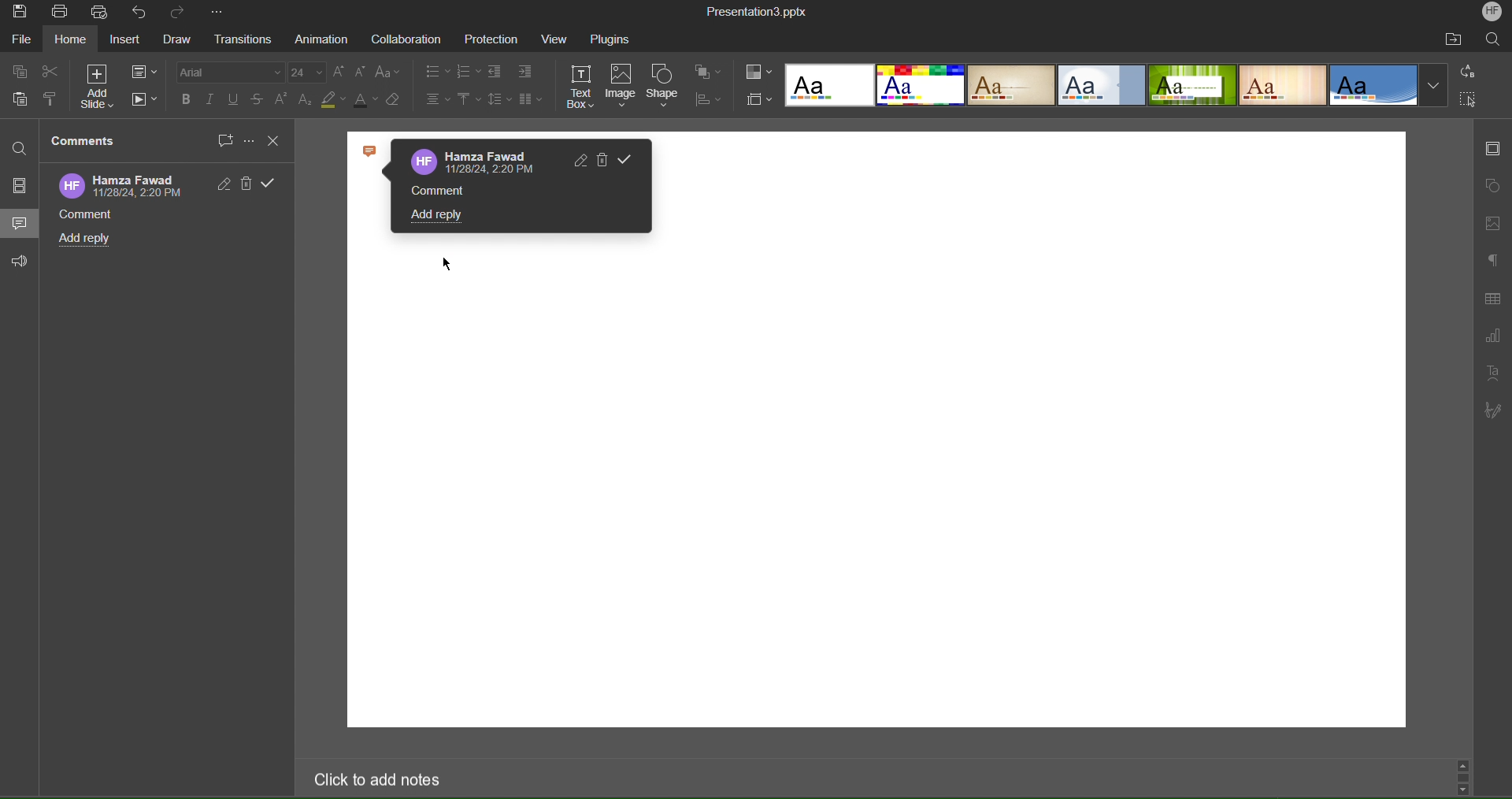 This screenshot has width=1512, height=799. I want to click on Indent Options, so click(524, 72).